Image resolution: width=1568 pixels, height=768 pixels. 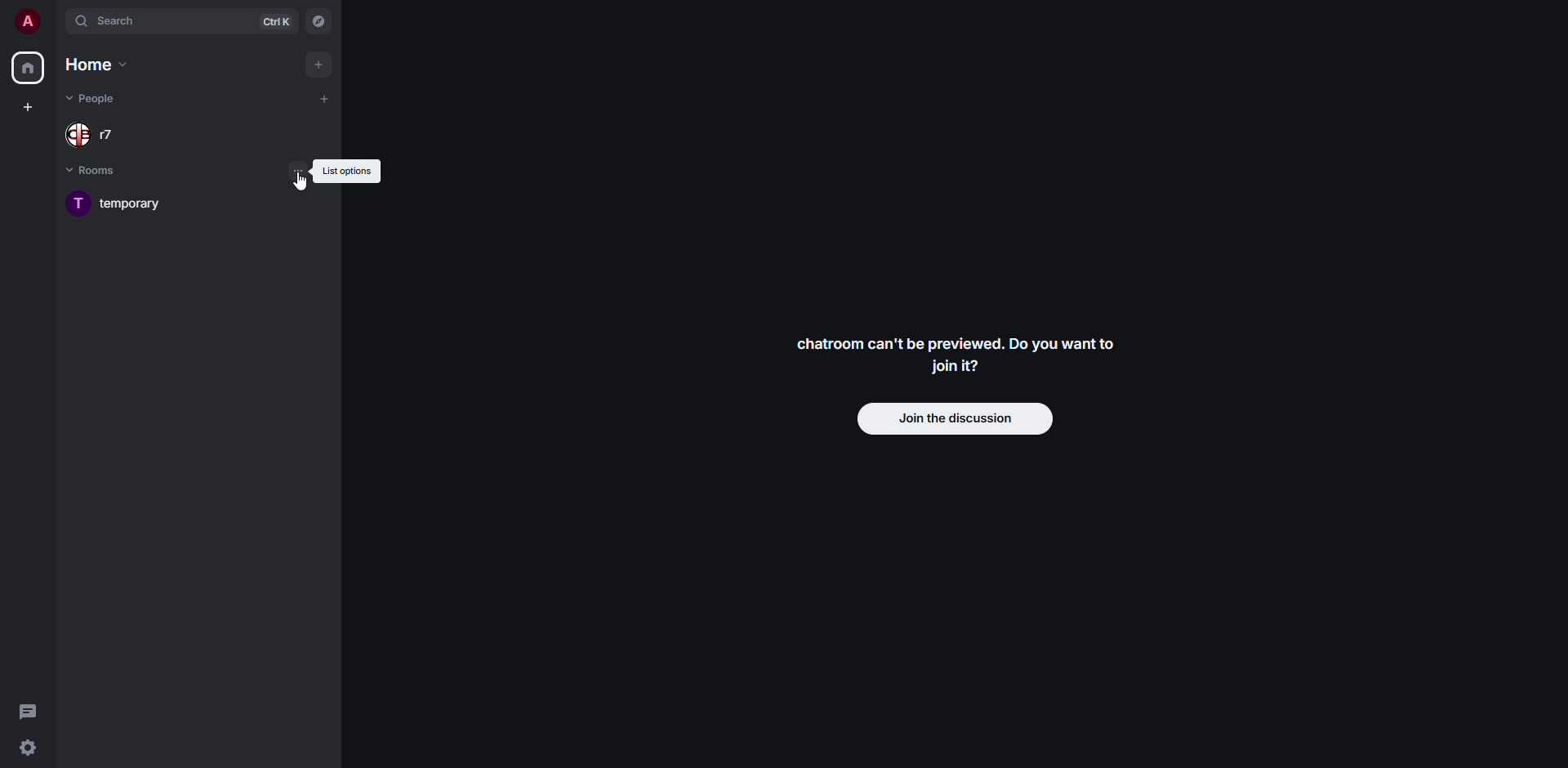 I want to click on list options, so click(x=297, y=171).